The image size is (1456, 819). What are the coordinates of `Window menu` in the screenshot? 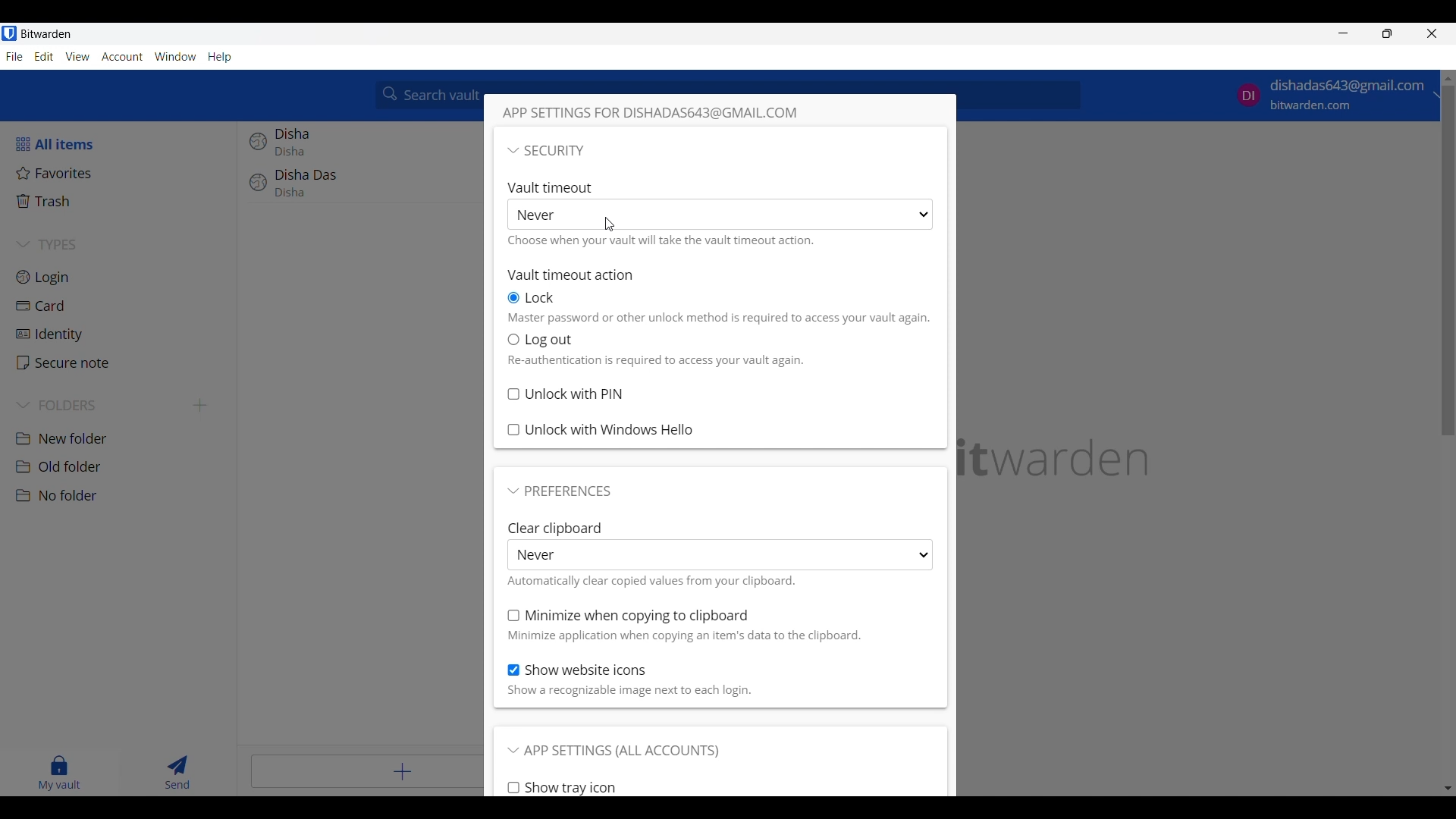 It's located at (175, 57).